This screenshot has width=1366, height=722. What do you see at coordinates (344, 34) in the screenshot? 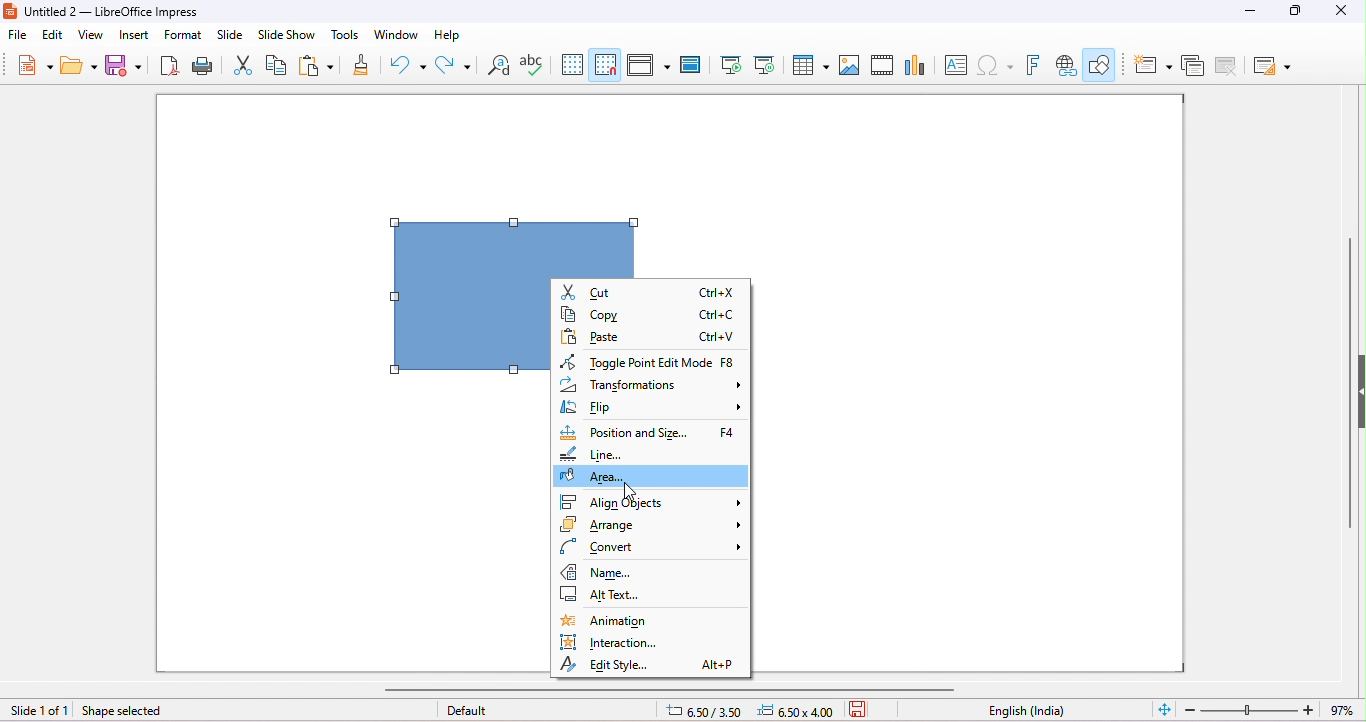
I see `tools` at bounding box center [344, 34].